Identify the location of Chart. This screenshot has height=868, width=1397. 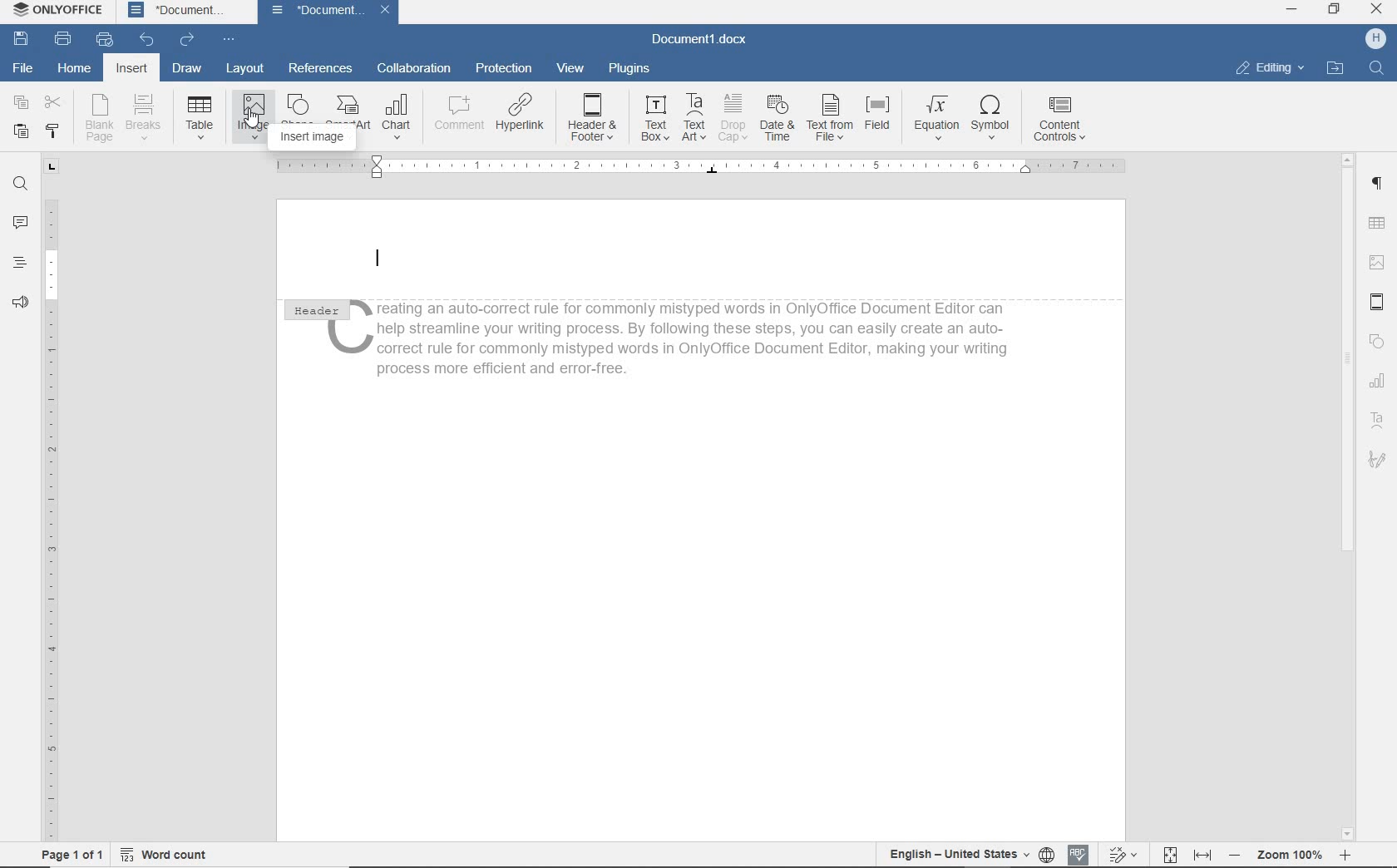
(1380, 382).